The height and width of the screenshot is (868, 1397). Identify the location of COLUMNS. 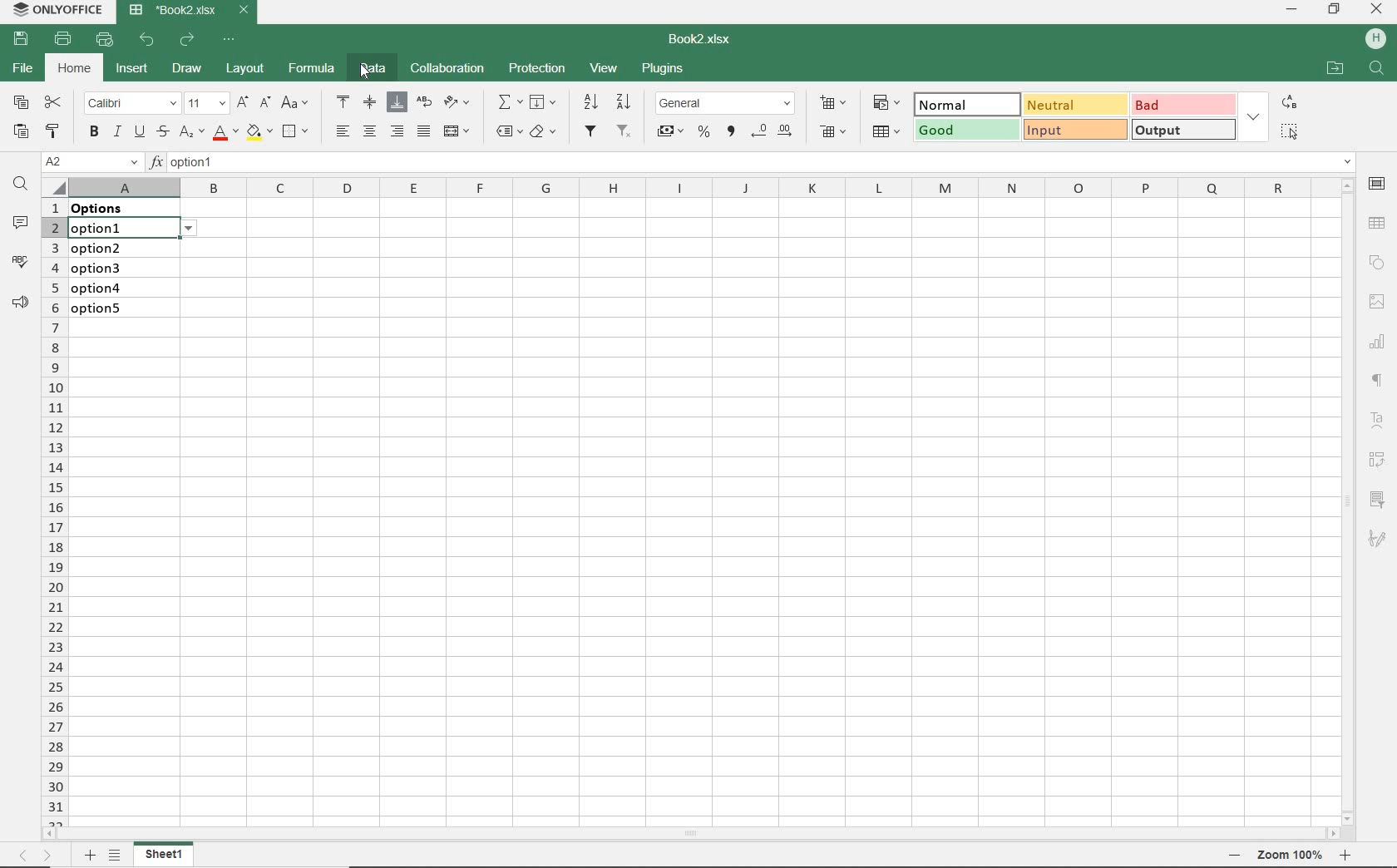
(700, 186).